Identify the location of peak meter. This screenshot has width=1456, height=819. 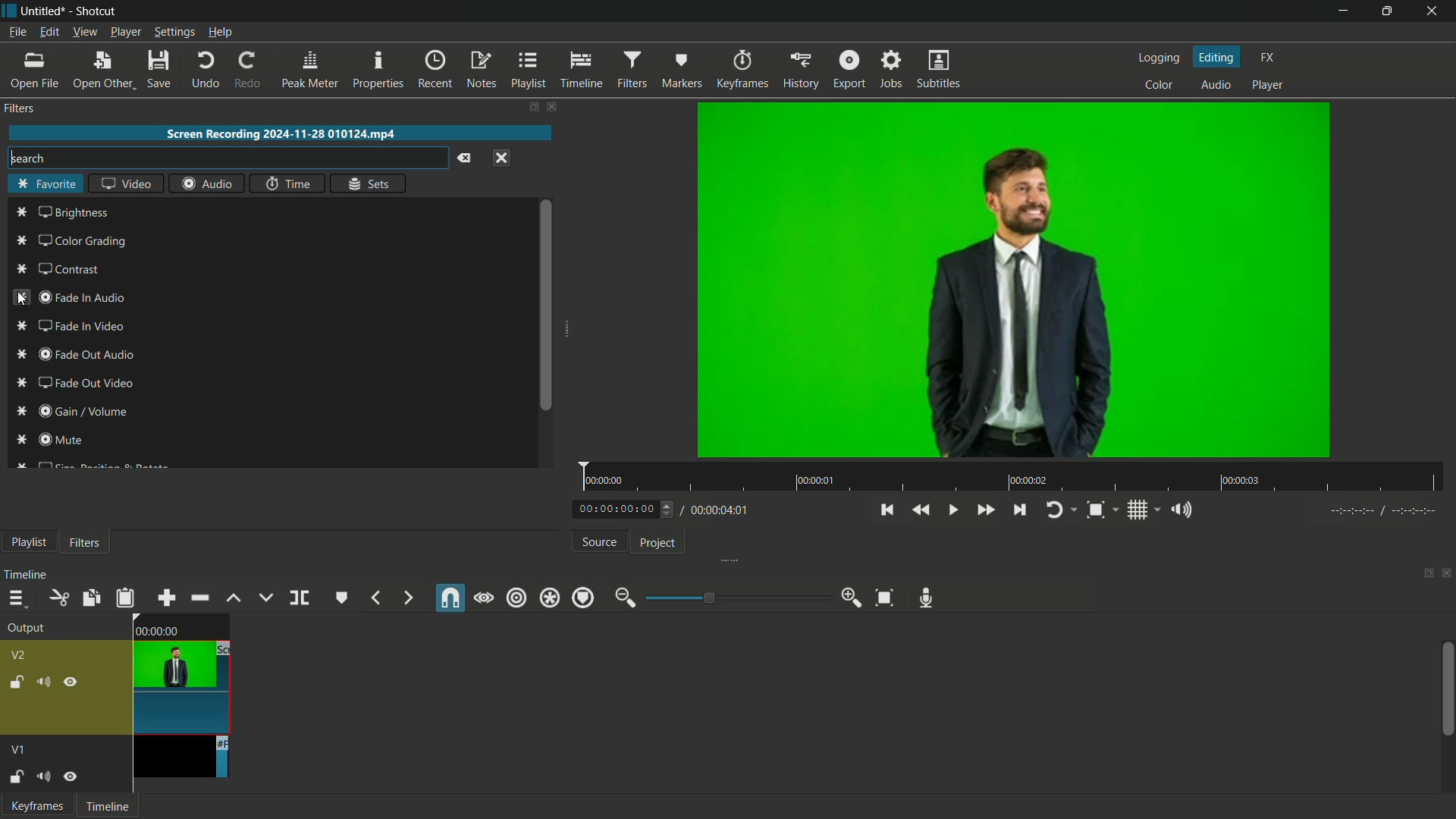
(309, 69).